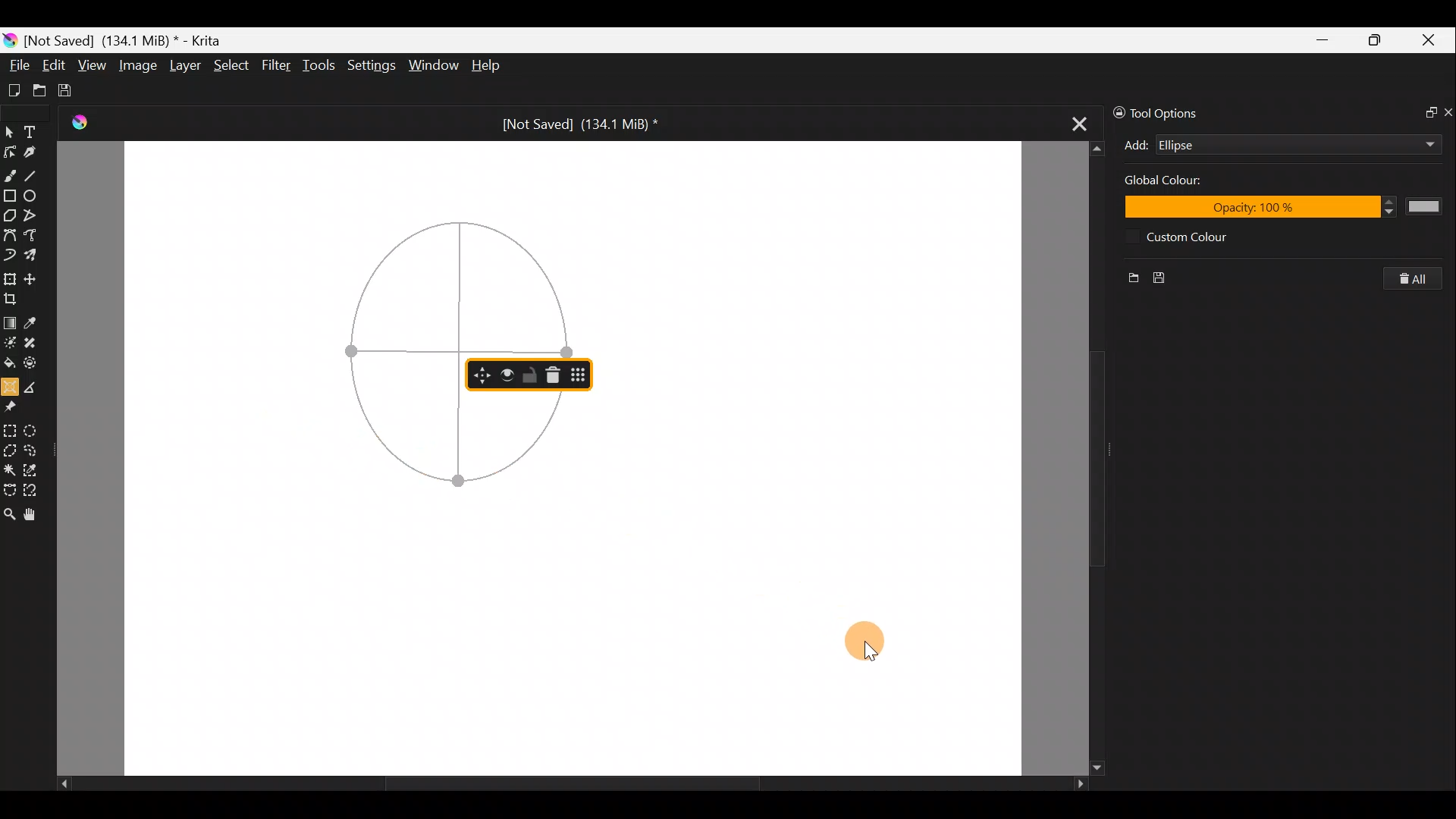  Describe the element at coordinates (37, 89) in the screenshot. I see `Open existing document` at that location.